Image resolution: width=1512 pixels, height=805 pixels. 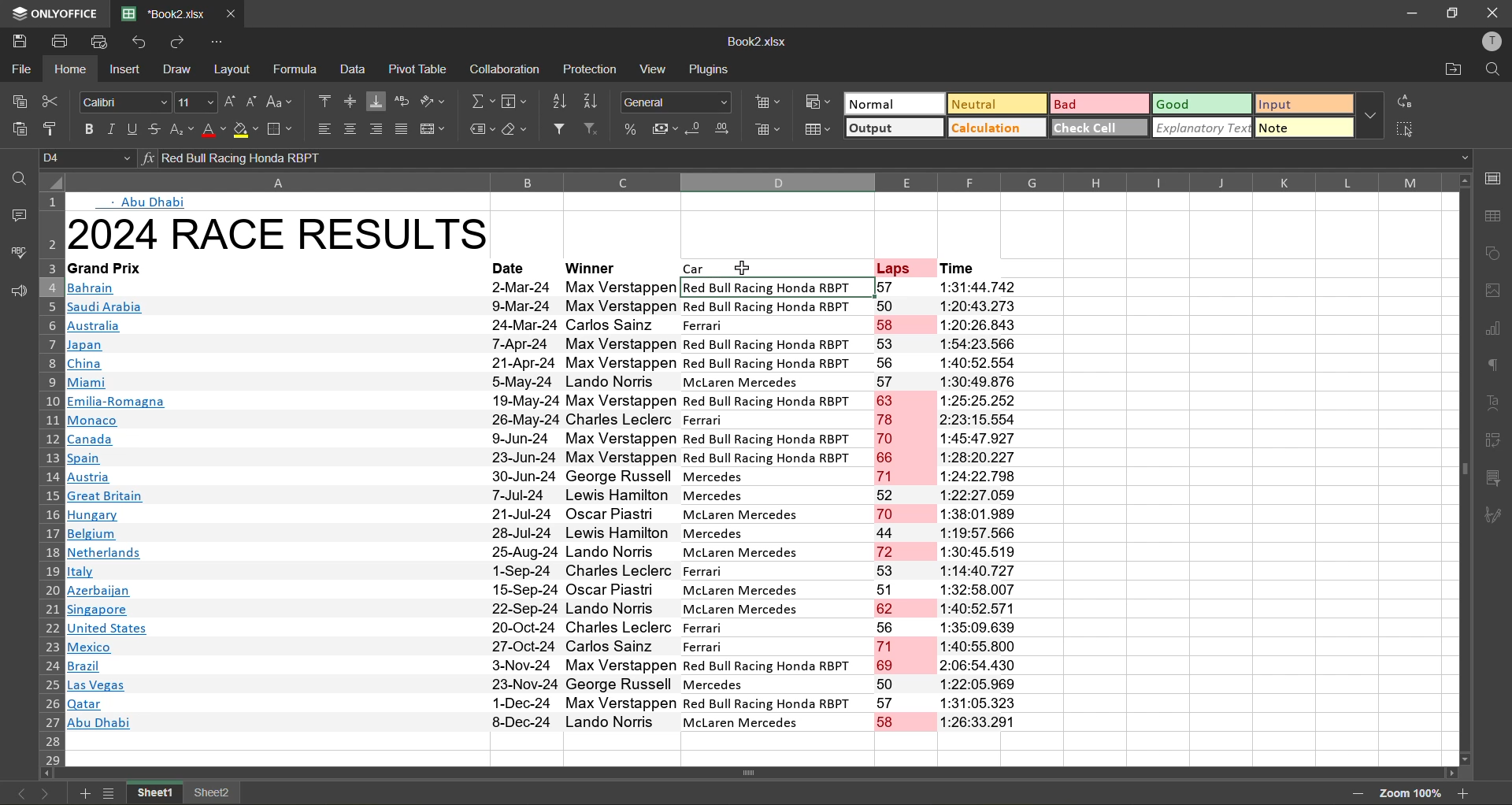 I want to click on next, so click(x=44, y=792).